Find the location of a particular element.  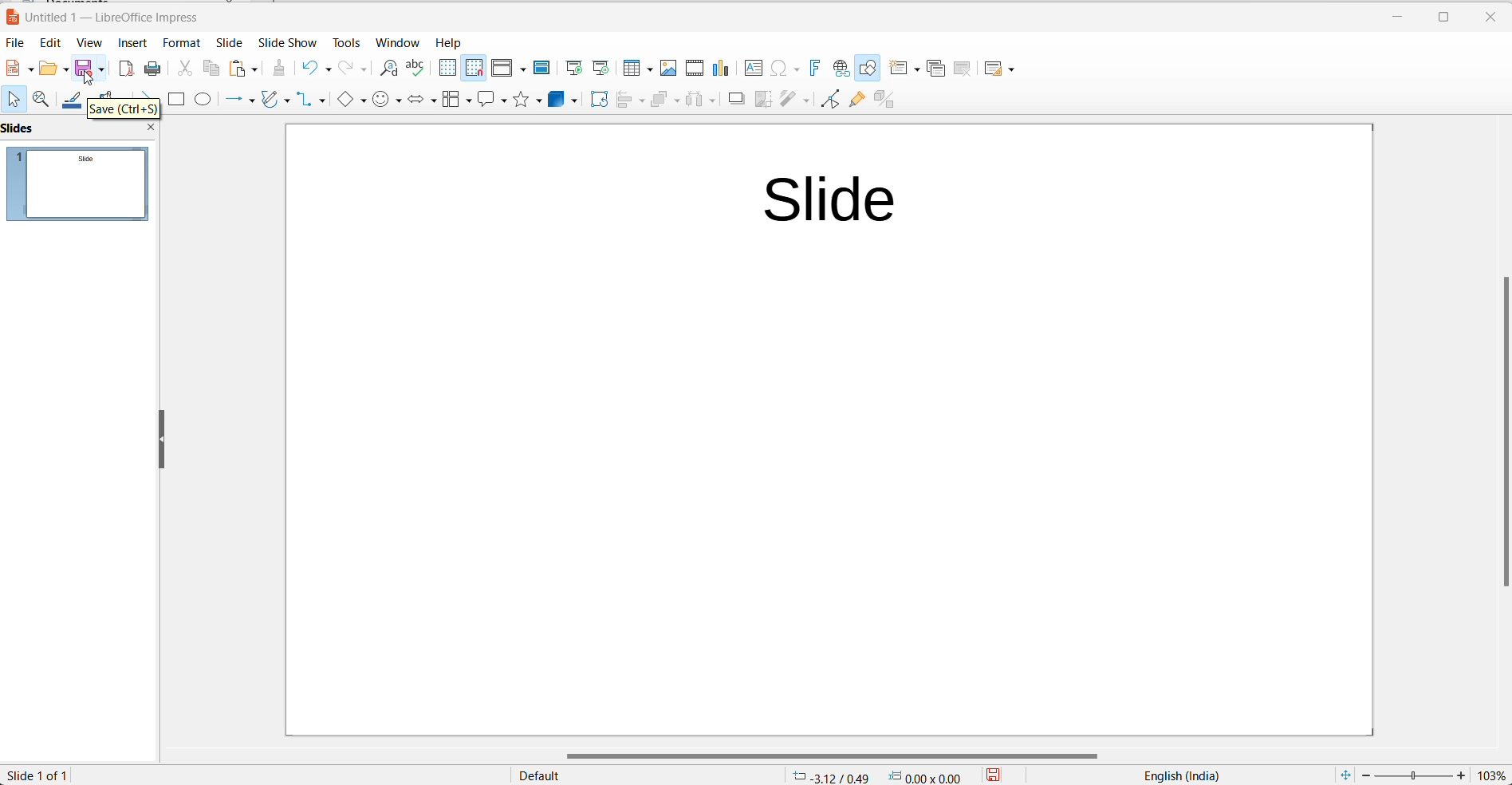

Clone formatting is located at coordinates (274, 68).